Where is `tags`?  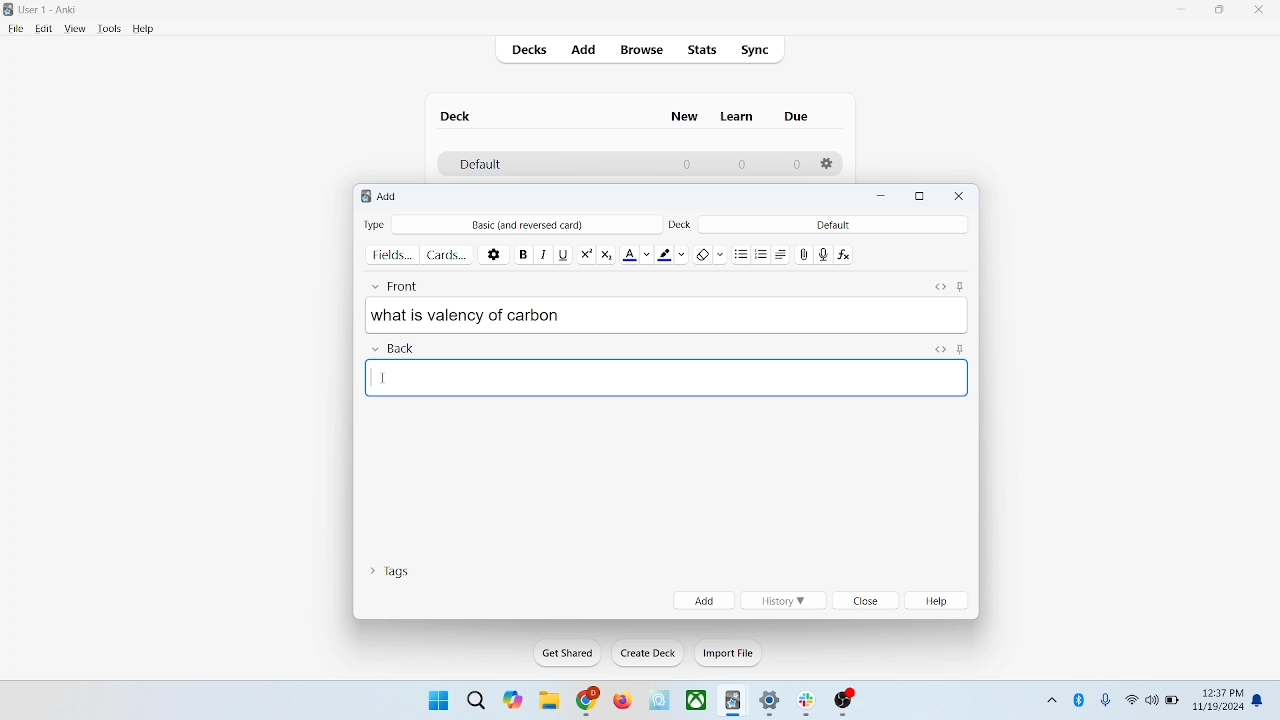
tags is located at coordinates (389, 569).